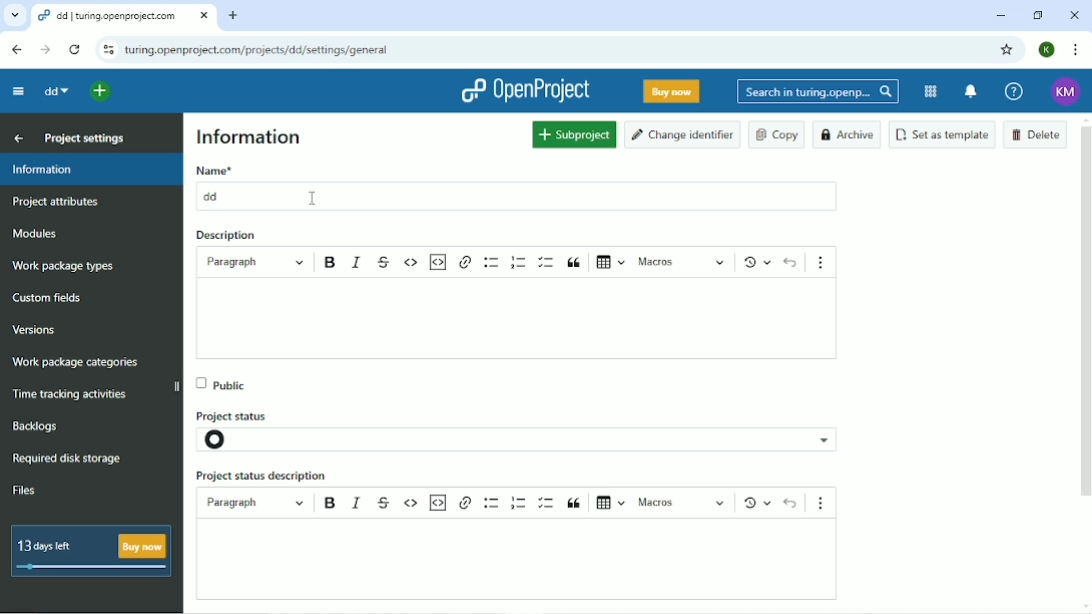 The image size is (1092, 614). I want to click on Modules, so click(932, 91).